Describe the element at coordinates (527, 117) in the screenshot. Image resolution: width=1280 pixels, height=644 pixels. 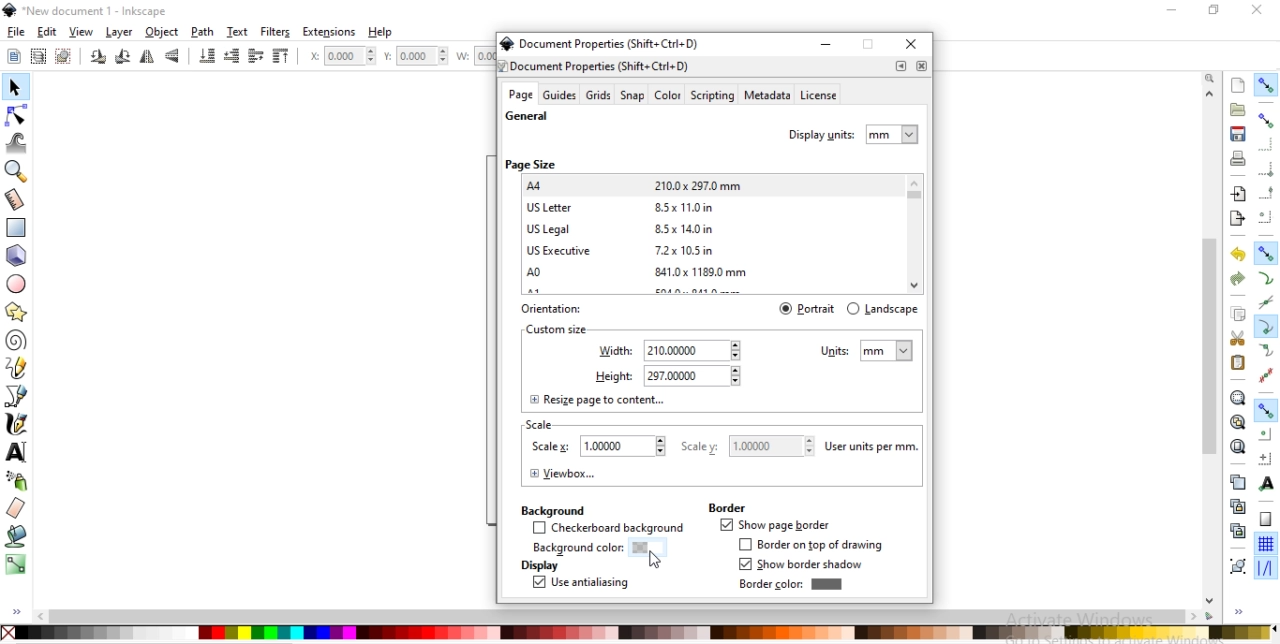
I see `general` at that location.